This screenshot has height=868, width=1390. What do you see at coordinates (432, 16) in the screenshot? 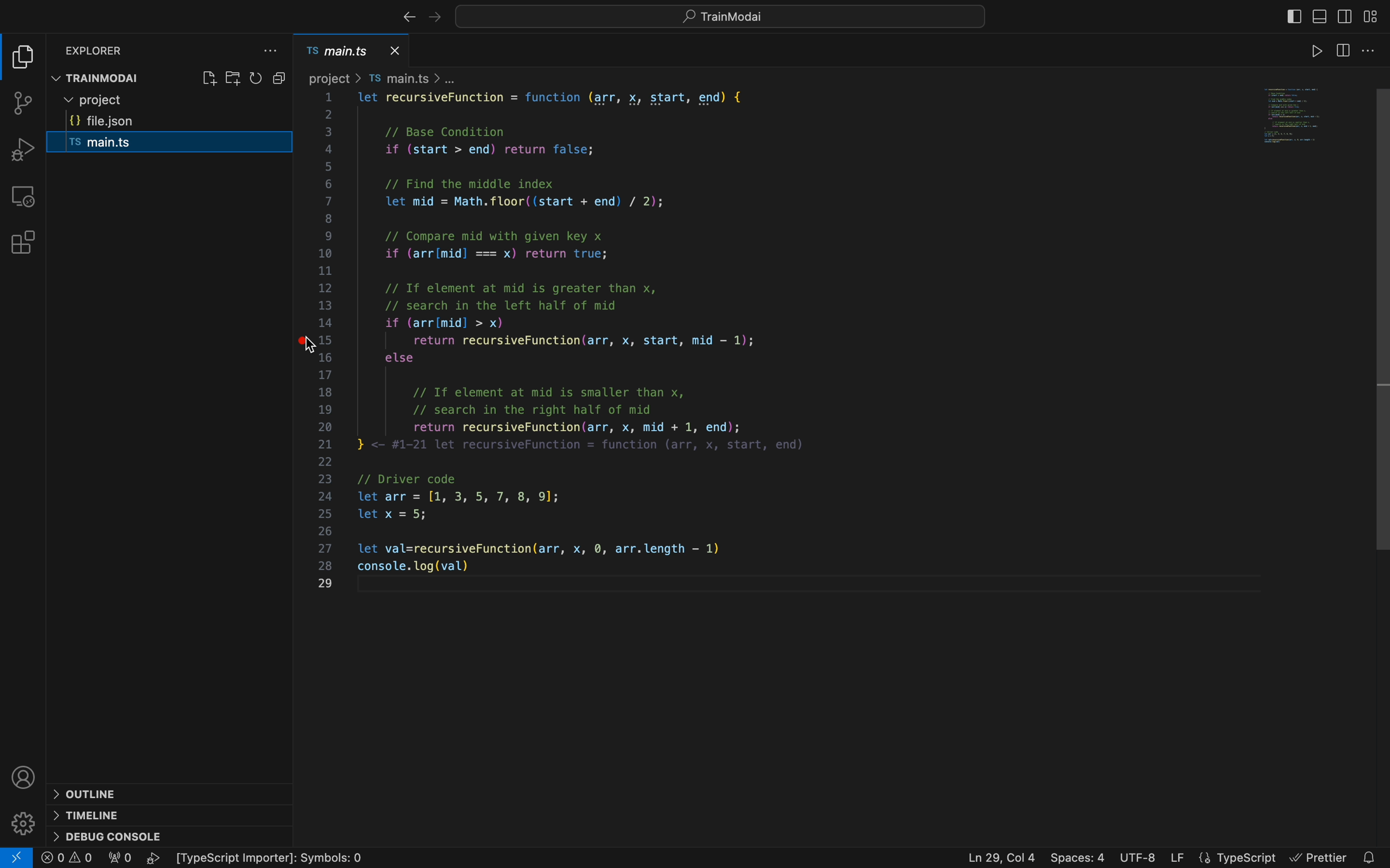
I see `left arrow` at bounding box center [432, 16].